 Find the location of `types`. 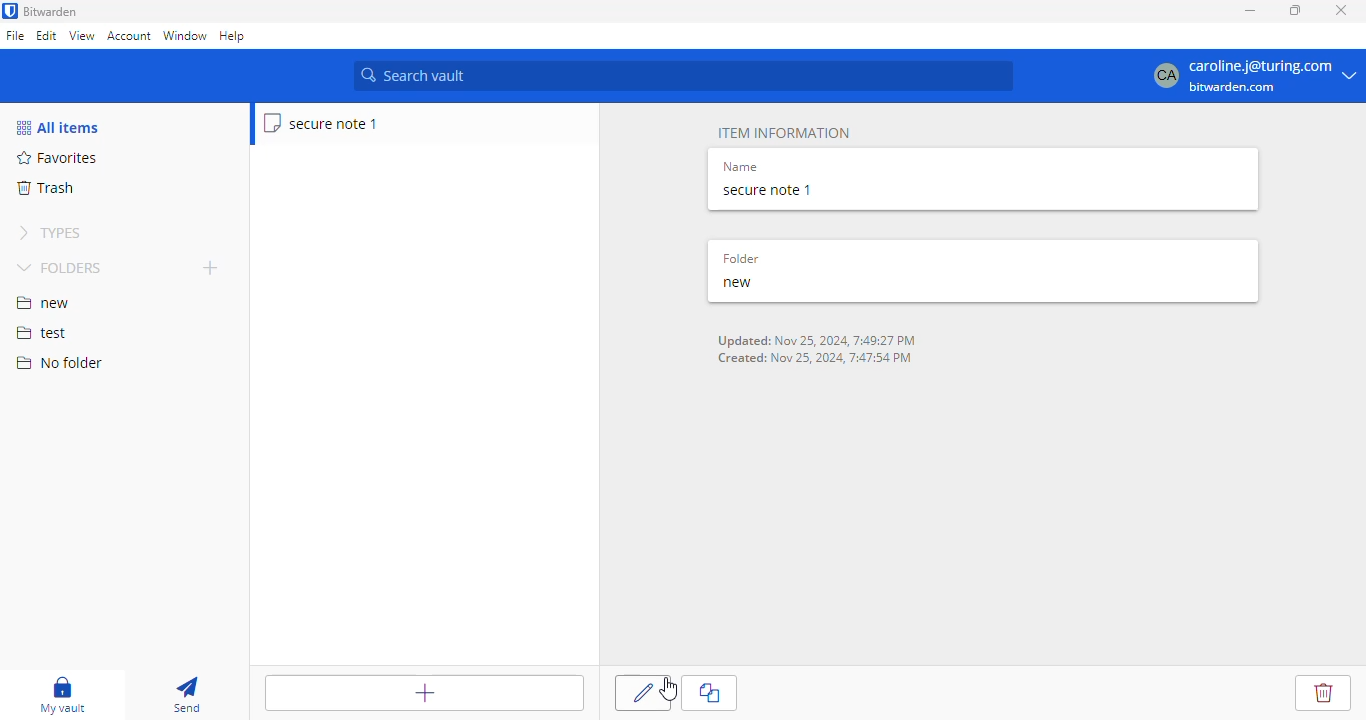

types is located at coordinates (50, 233).